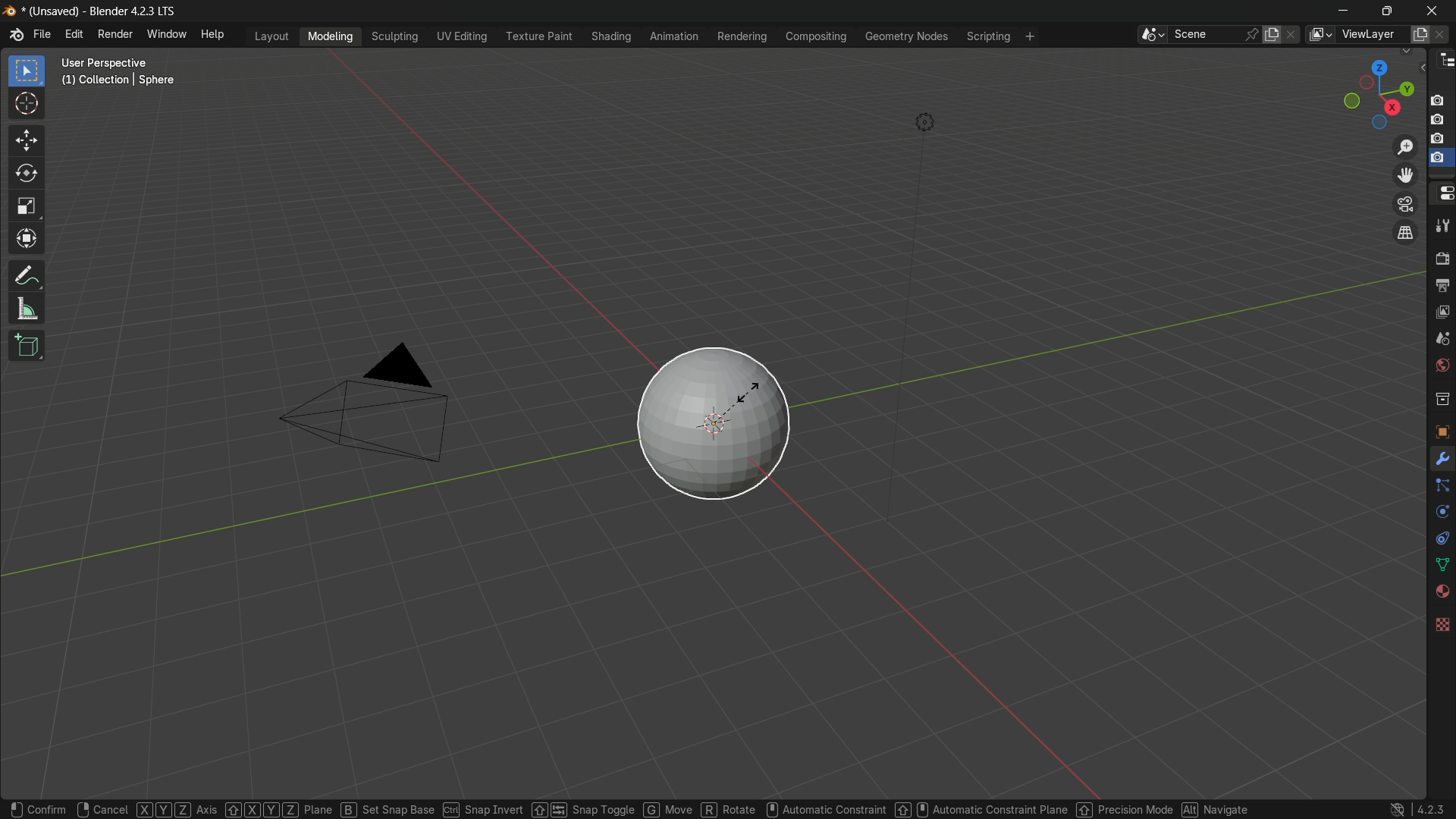 This screenshot has height=819, width=1456. Describe the element at coordinates (1441, 140) in the screenshot. I see `capture` at that location.